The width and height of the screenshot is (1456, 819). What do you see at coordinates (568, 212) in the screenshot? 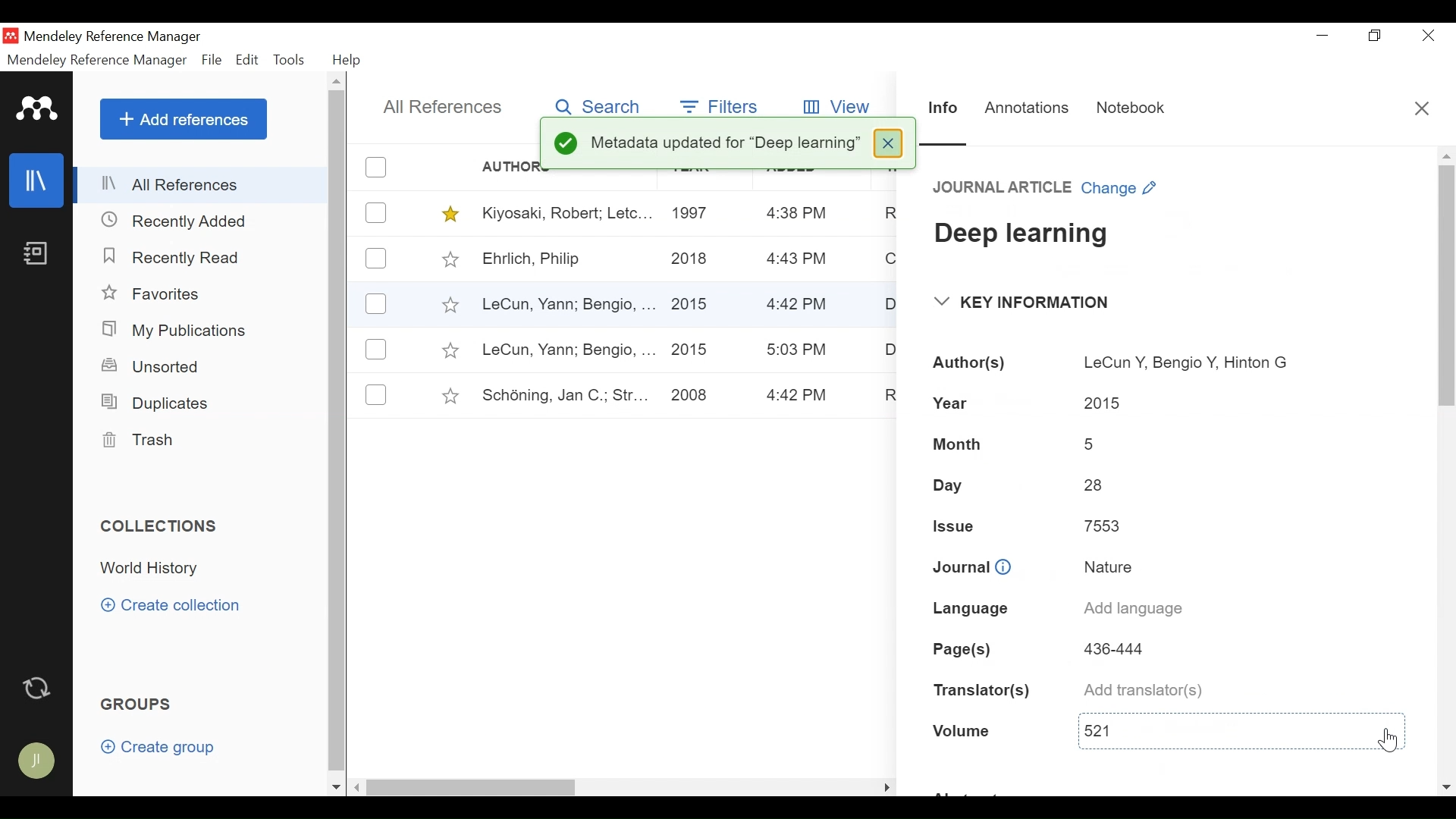
I see `Kiyosaki, Robert; Letc..` at bounding box center [568, 212].